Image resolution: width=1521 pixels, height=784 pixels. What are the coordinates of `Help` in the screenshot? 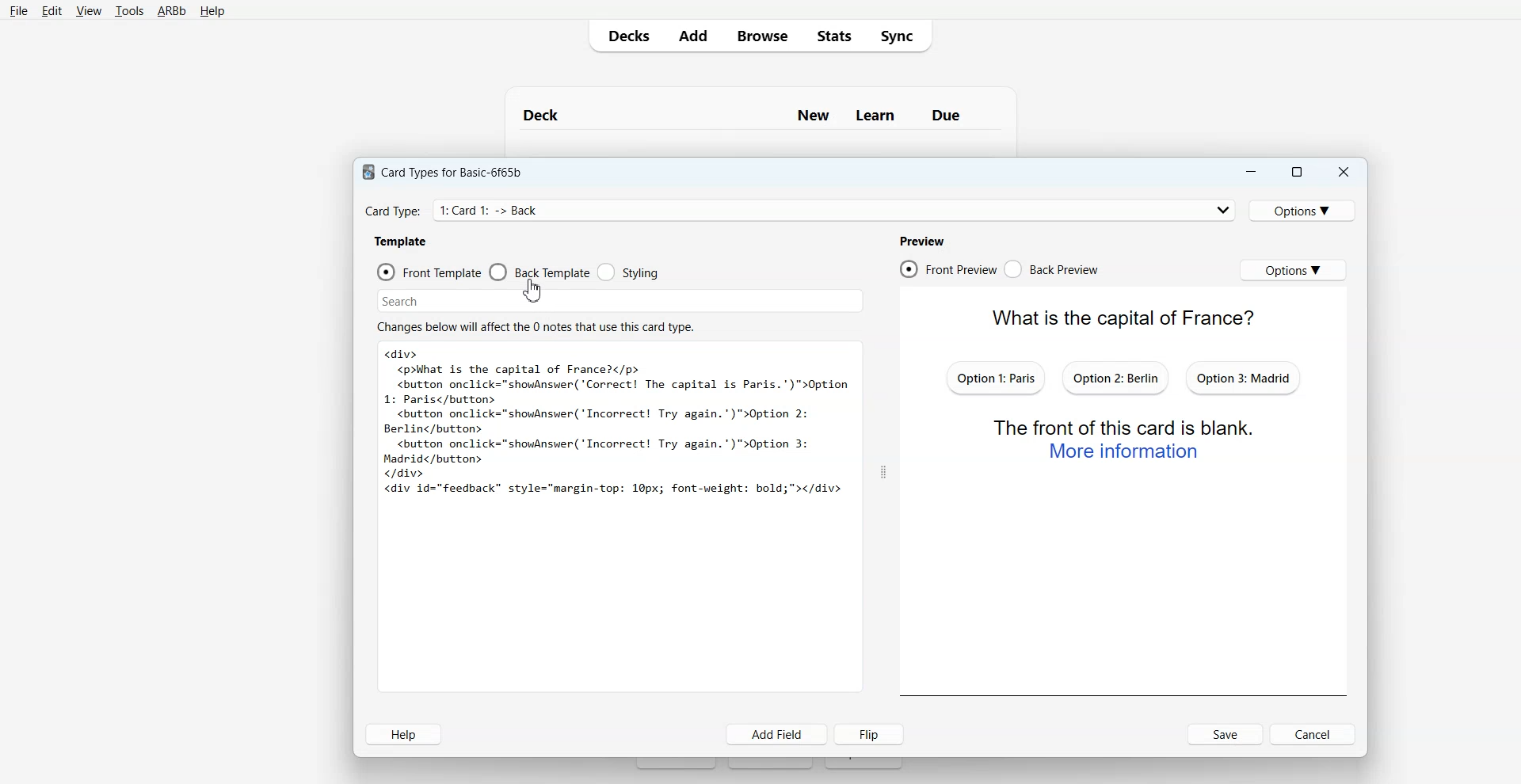 It's located at (404, 734).